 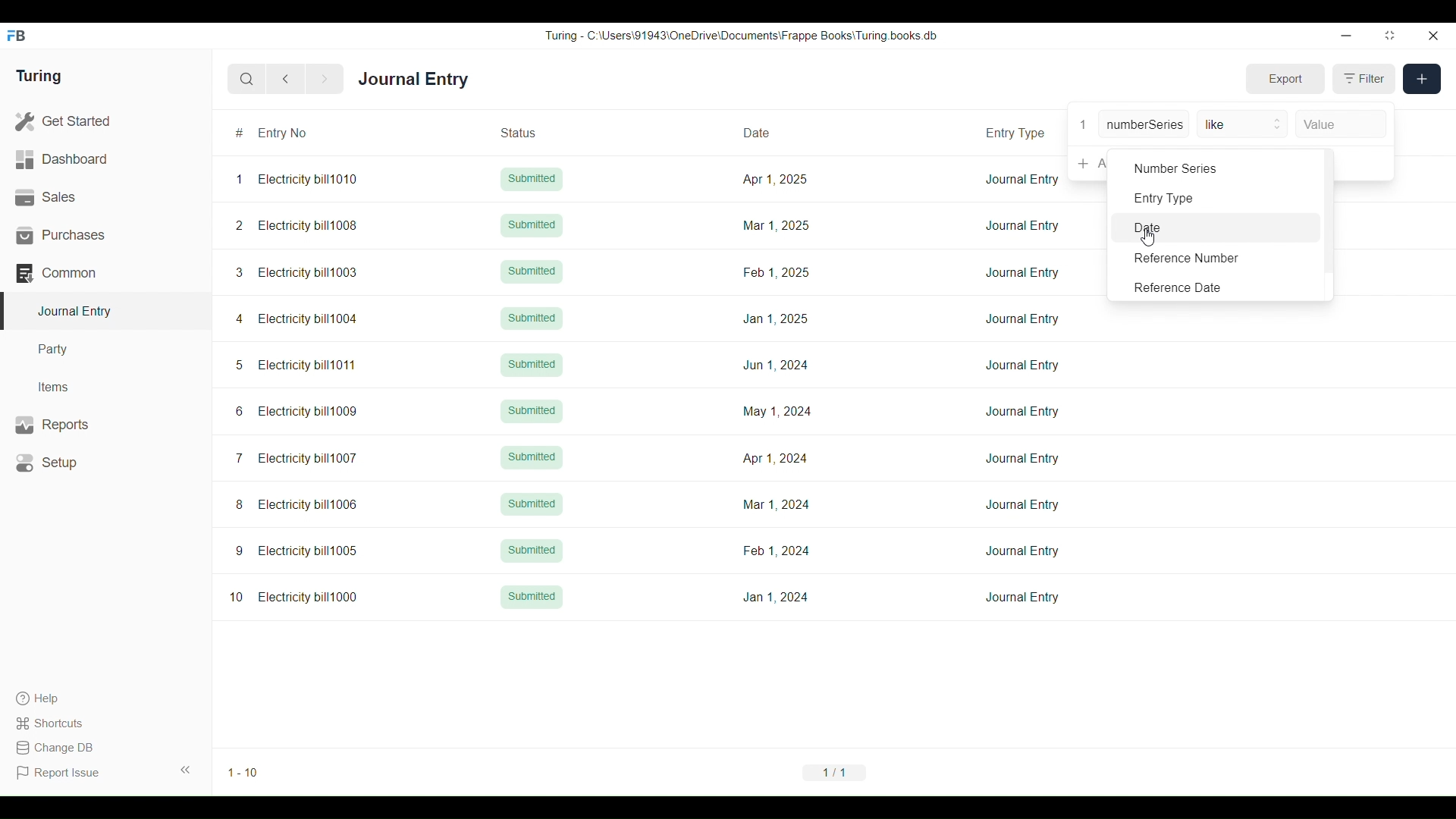 What do you see at coordinates (105, 273) in the screenshot?
I see `Common` at bounding box center [105, 273].